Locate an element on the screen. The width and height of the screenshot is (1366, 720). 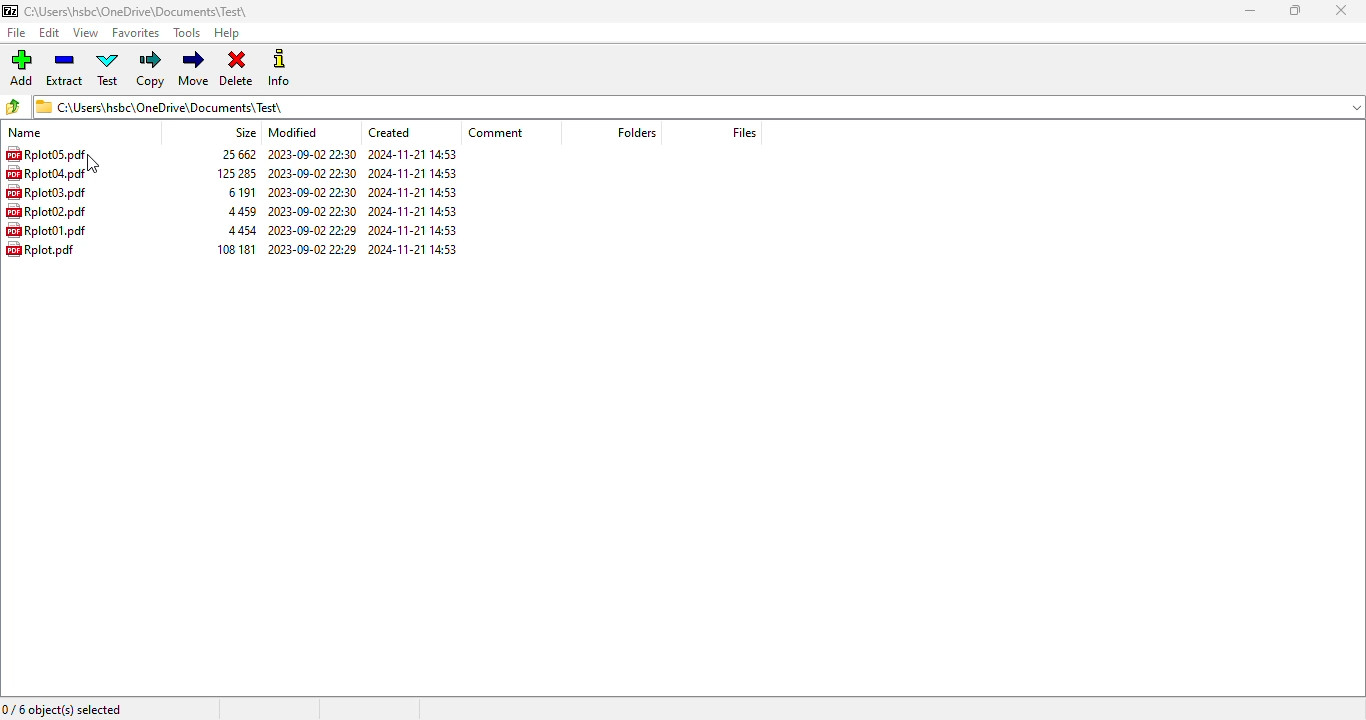
size is located at coordinates (237, 248).